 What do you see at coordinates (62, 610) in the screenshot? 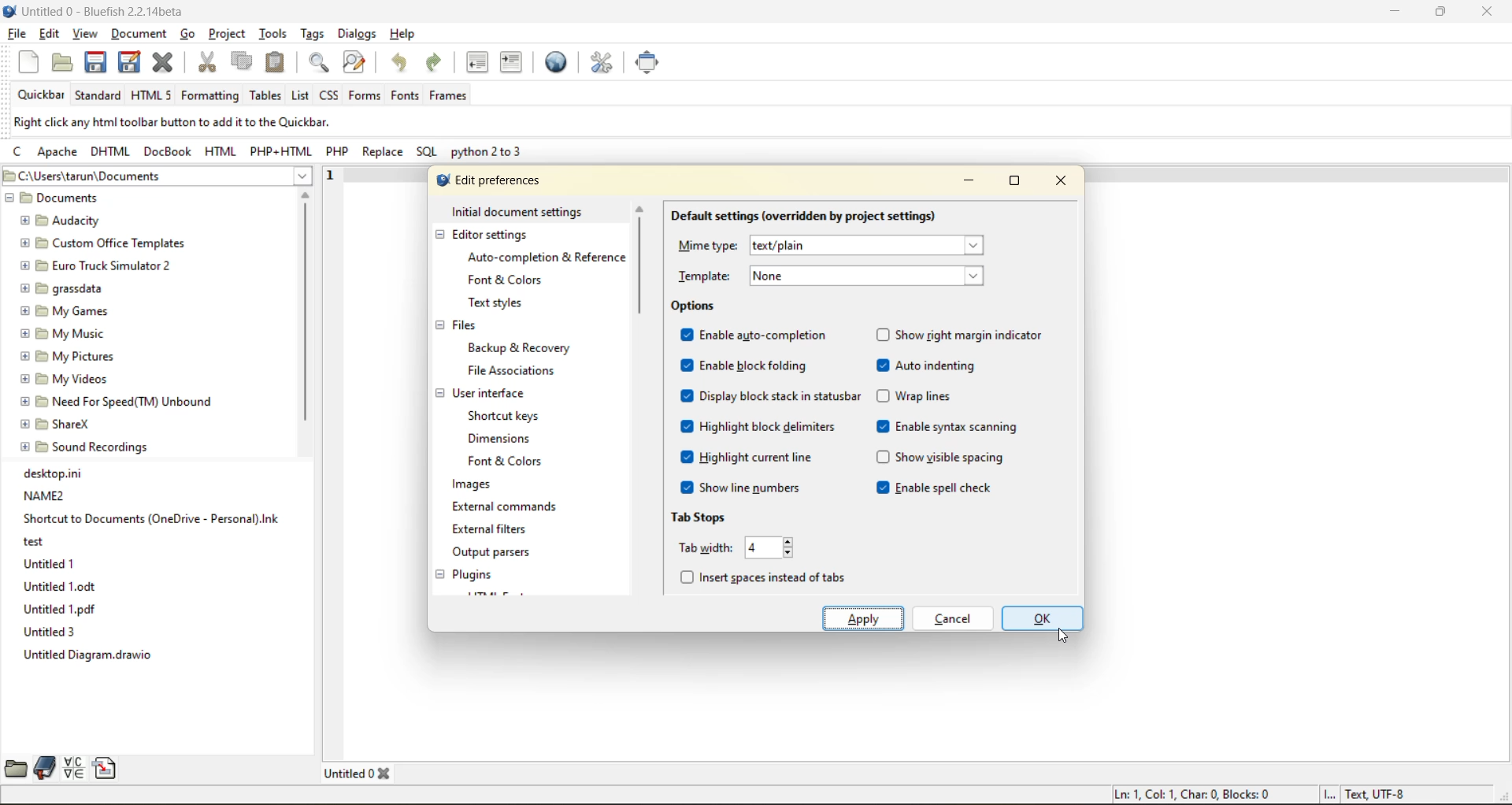
I see `Untitled 1.pdf` at bounding box center [62, 610].